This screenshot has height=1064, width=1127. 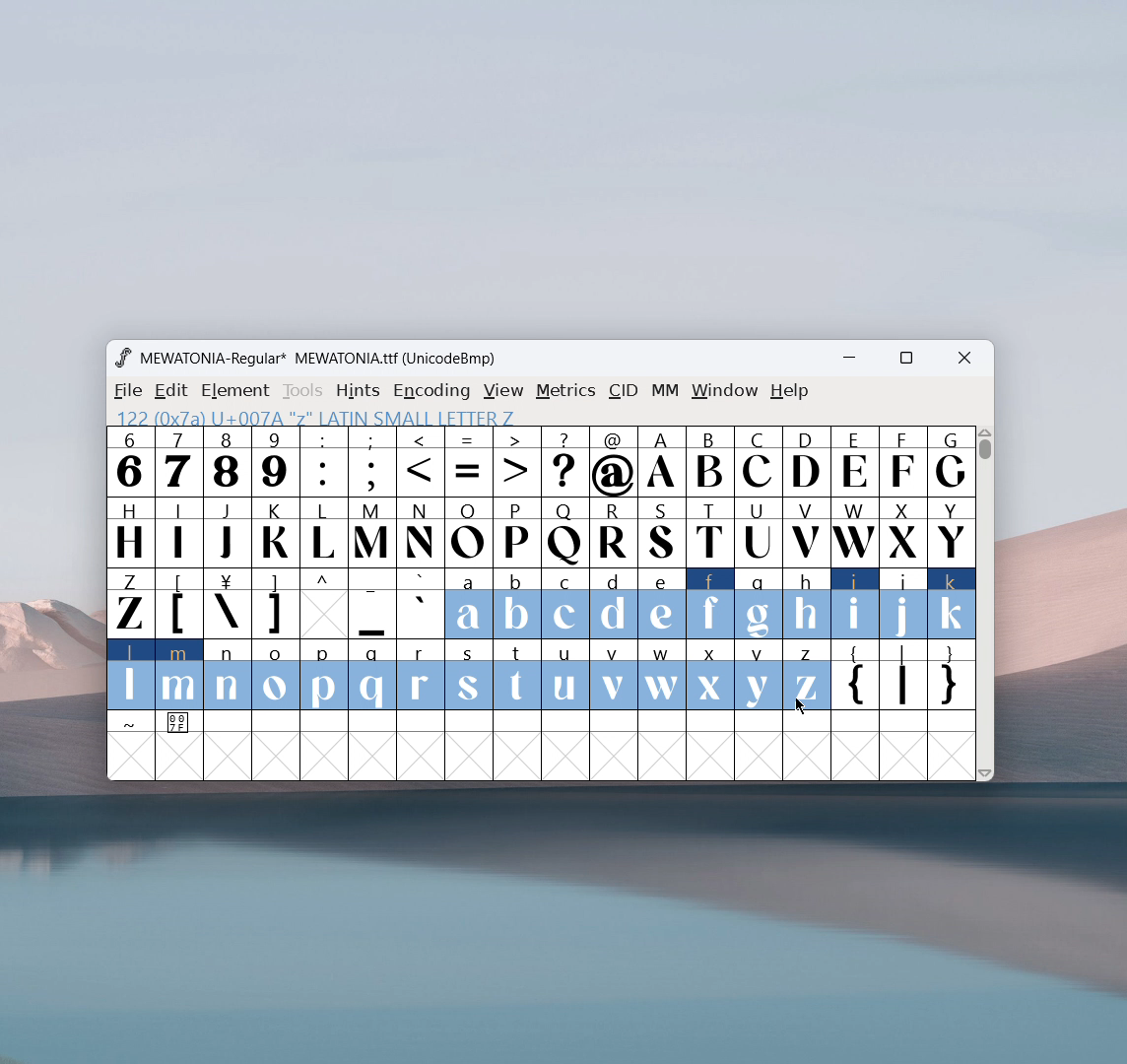 I want to click on 8, so click(x=227, y=461).